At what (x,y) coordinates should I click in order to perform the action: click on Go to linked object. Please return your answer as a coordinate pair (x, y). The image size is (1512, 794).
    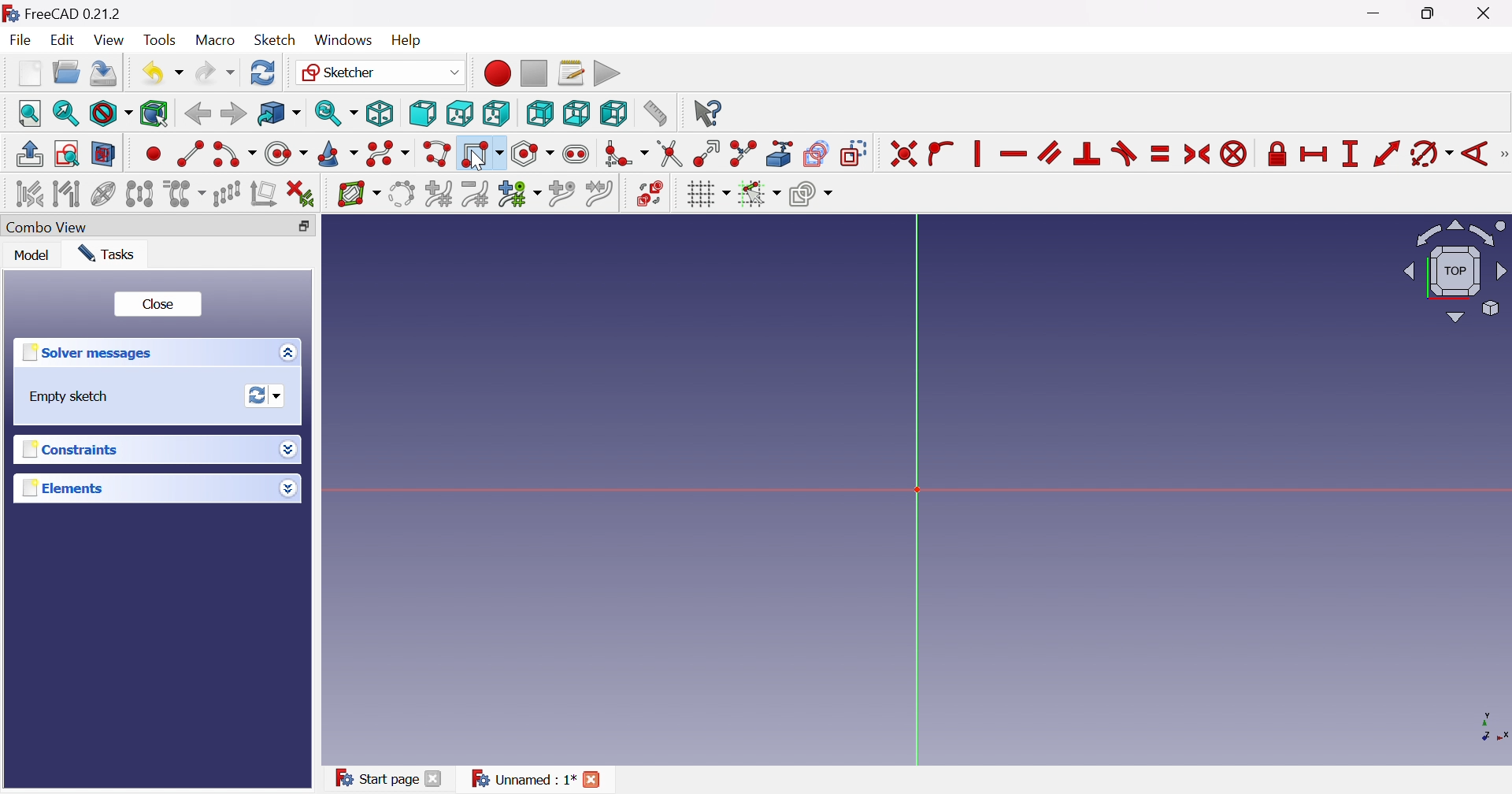
    Looking at the image, I should click on (278, 113).